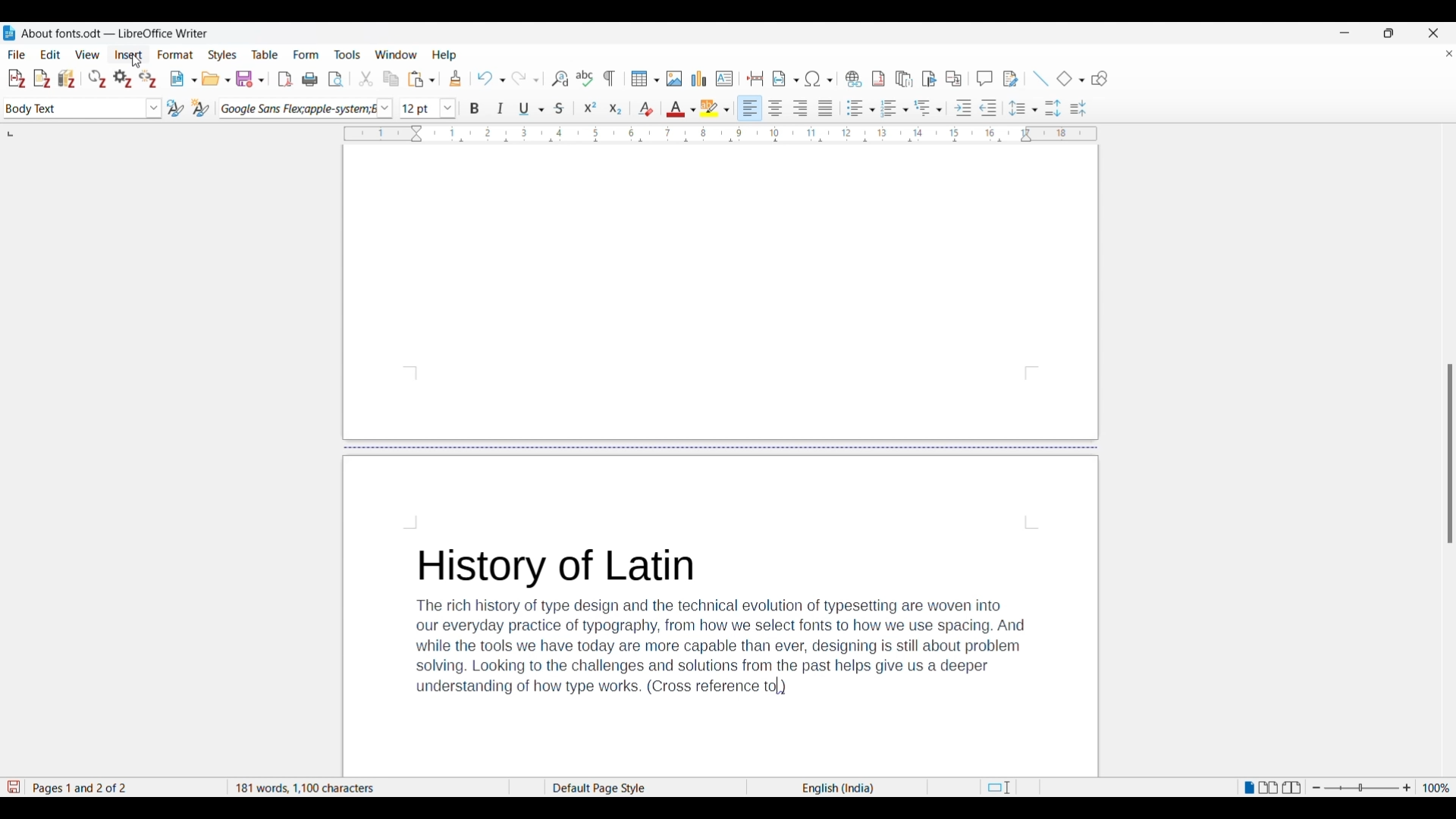 Image resolution: width=1456 pixels, height=819 pixels. Describe the element at coordinates (419, 108) in the screenshot. I see `Input font` at that location.